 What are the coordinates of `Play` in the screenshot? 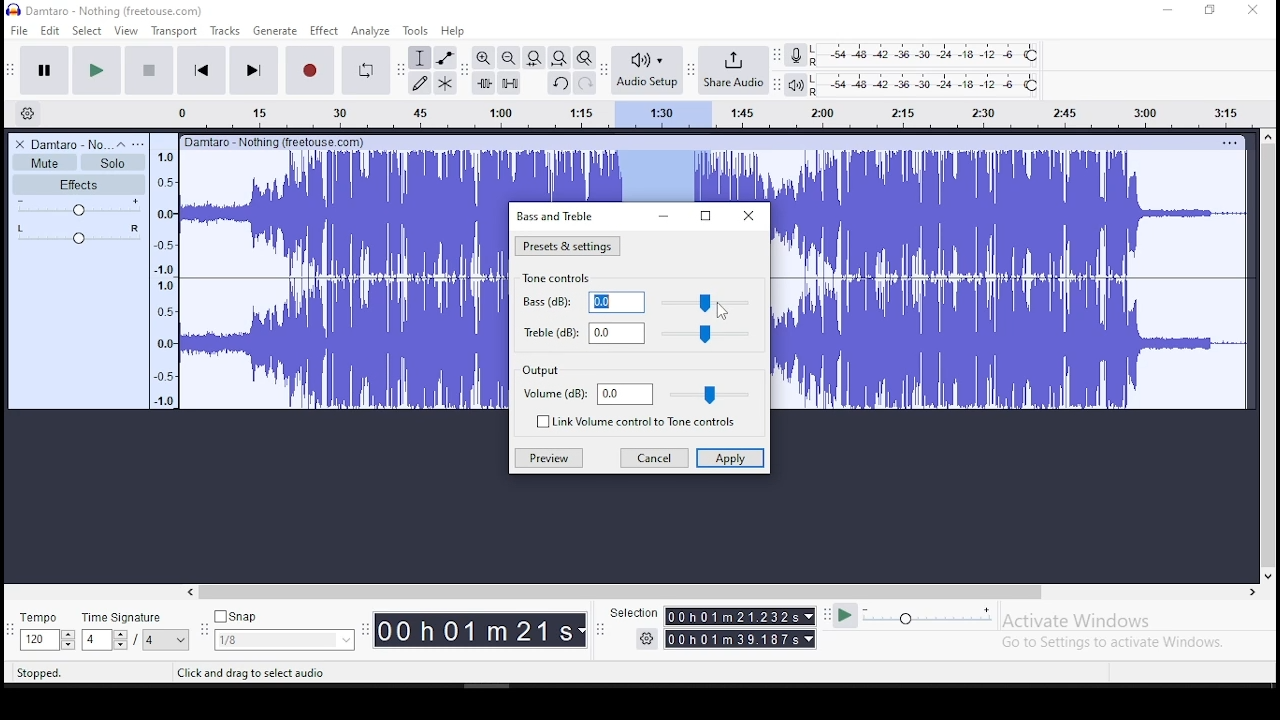 It's located at (845, 616).